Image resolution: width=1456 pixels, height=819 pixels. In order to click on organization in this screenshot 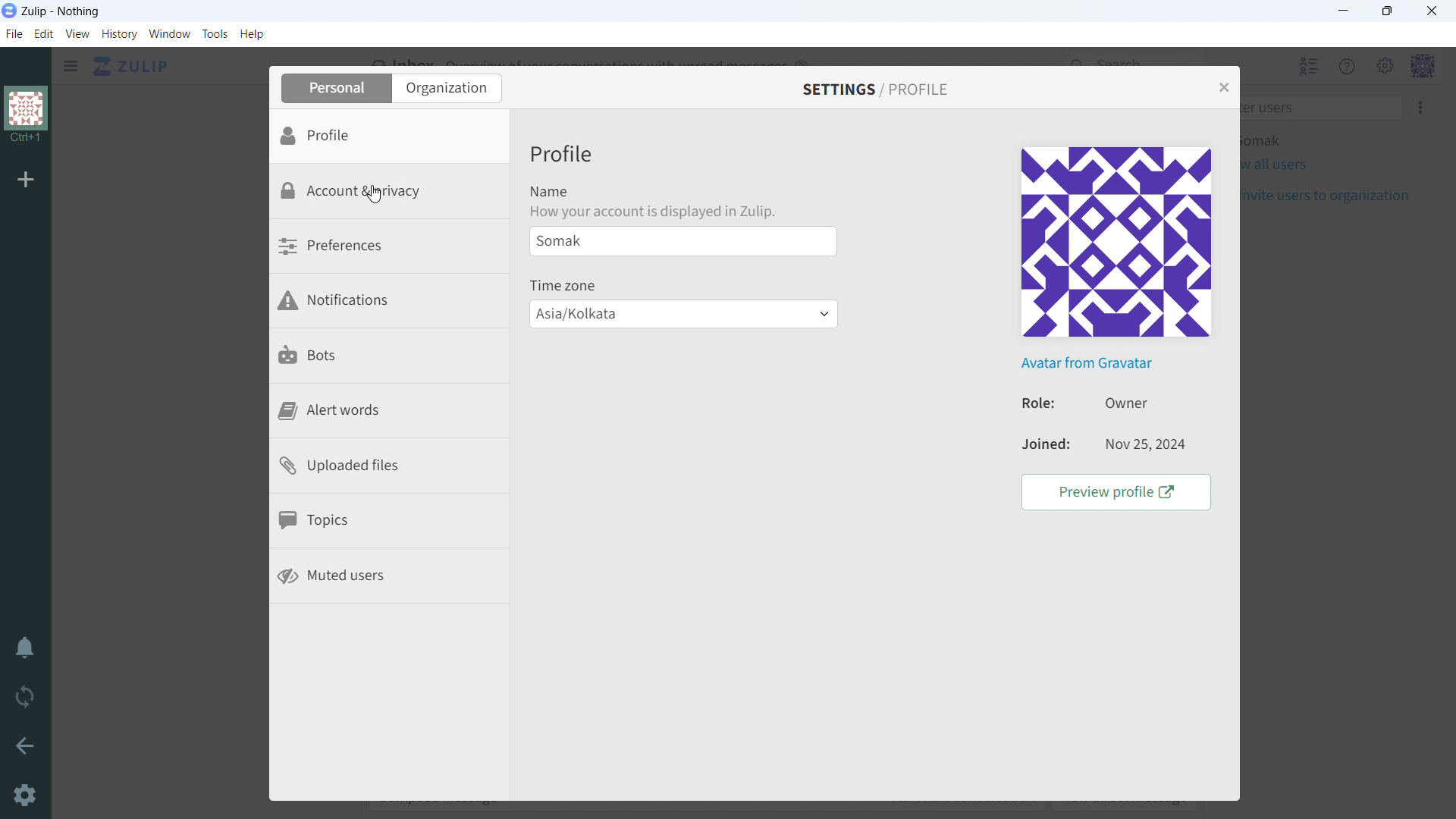, I will do `click(27, 116)`.